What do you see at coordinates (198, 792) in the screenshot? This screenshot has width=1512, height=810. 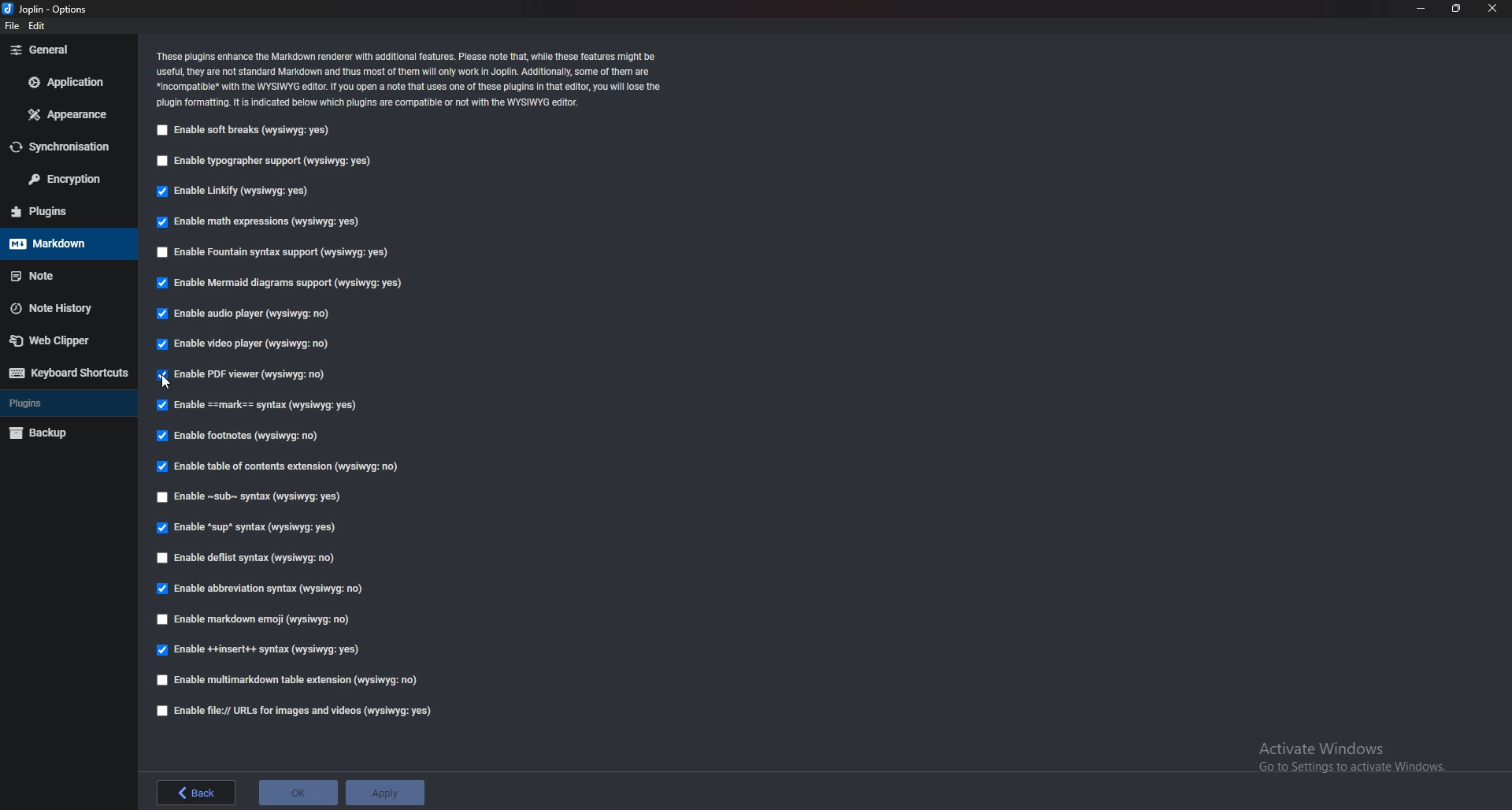 I see `back` at bounding box center [198, 792].